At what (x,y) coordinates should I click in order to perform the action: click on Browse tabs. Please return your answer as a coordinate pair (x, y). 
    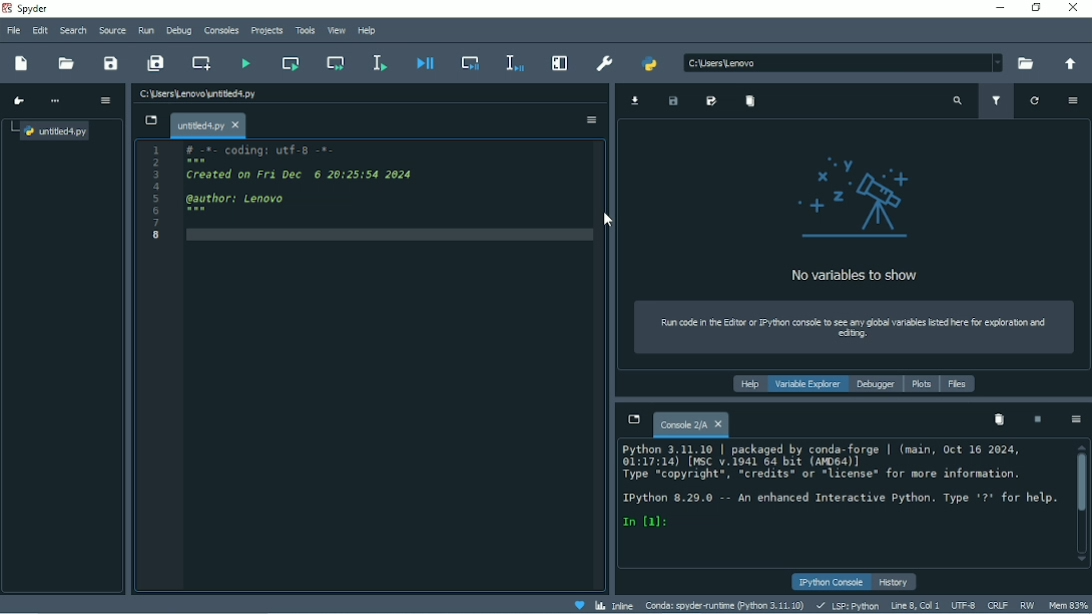
    Looking at the image, I should click on (151, 121).